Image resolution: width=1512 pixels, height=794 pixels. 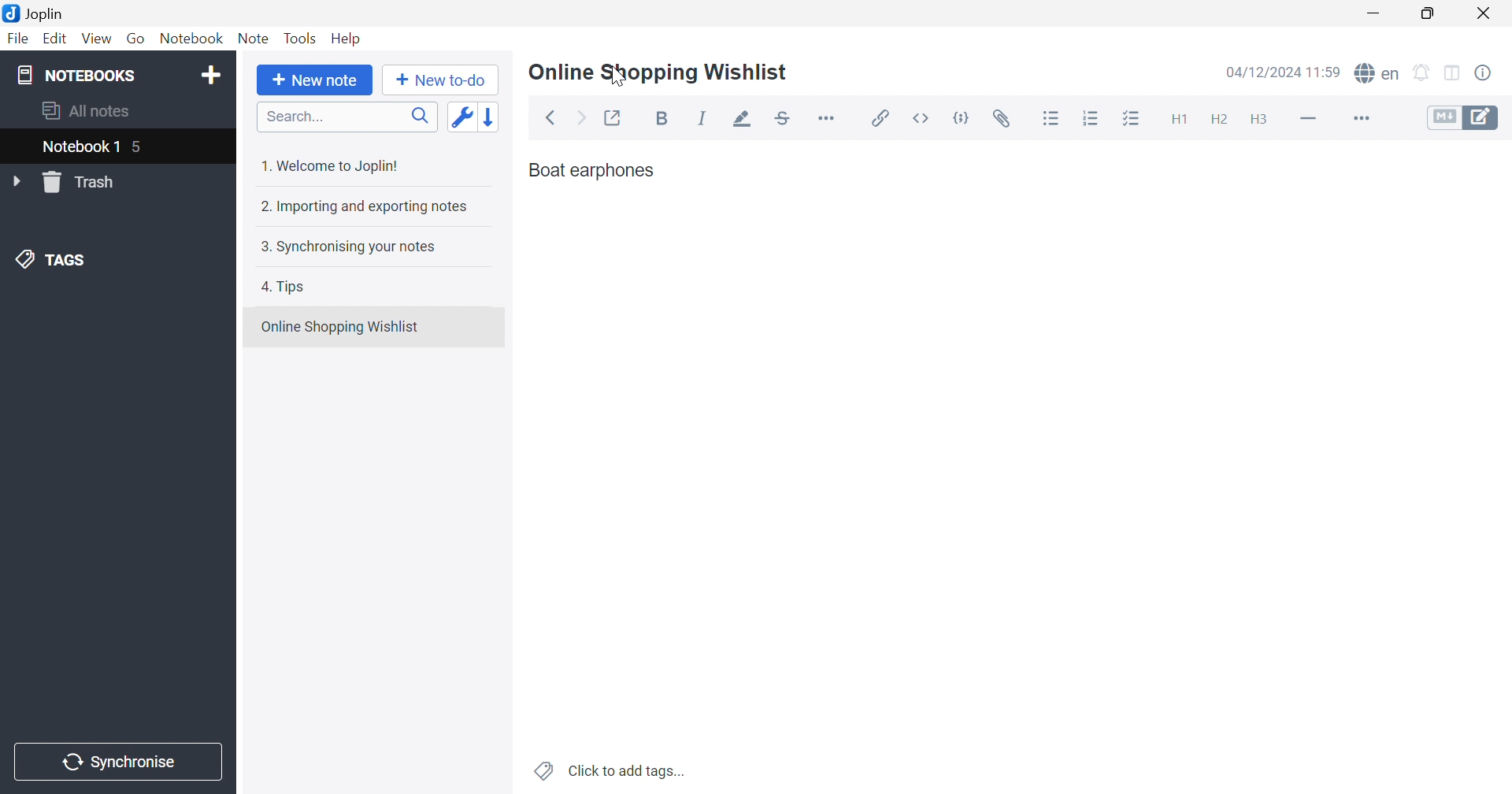 What do you see at coordinates (662, 118) in the screenshot?
I see `Bold` at bounding box center [662, 118].